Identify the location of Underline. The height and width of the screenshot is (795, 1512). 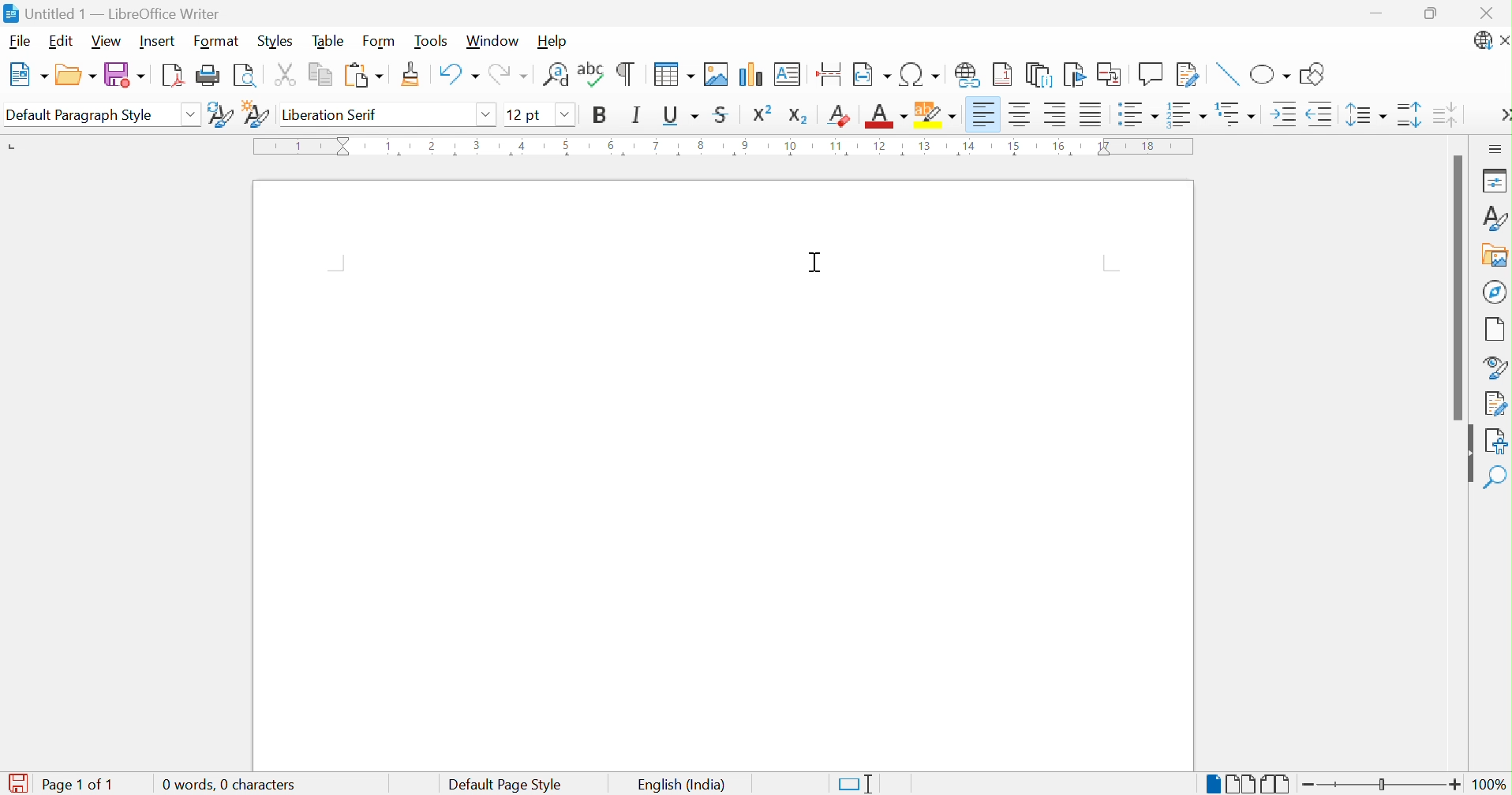
(680, 115).